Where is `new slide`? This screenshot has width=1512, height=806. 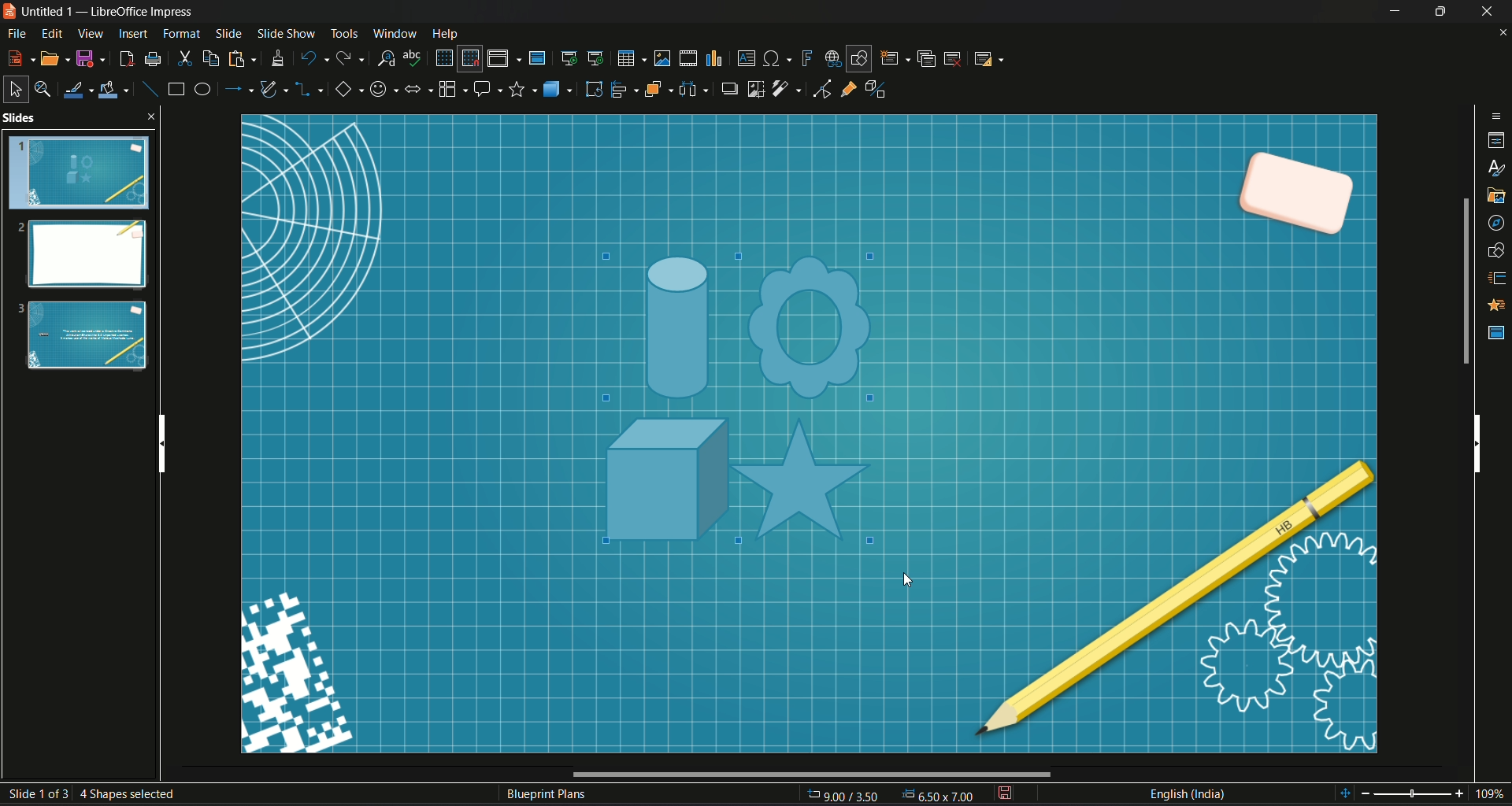 new slide is located at coordinates (895, 58).